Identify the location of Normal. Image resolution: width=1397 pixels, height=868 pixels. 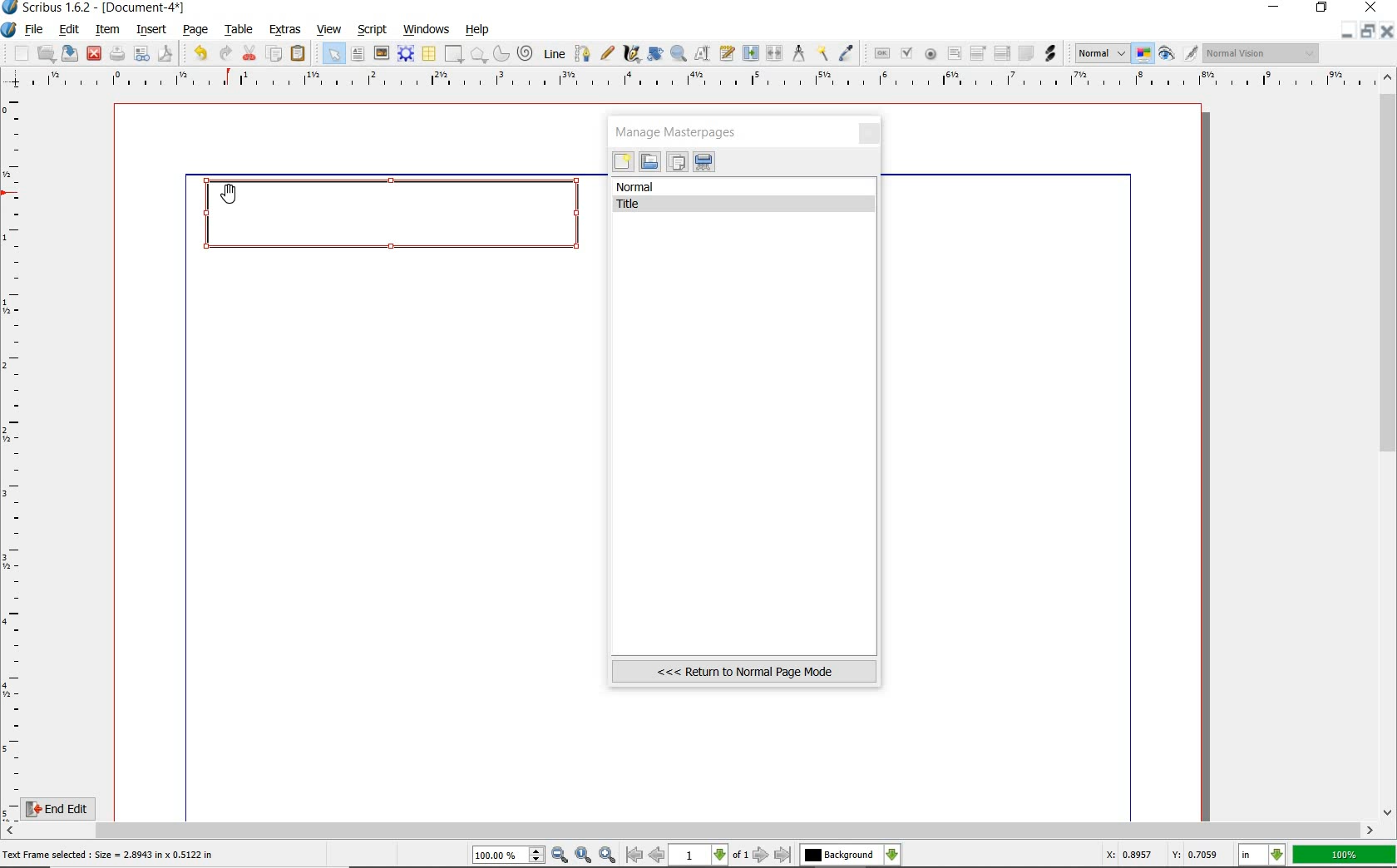
(1100, 53).